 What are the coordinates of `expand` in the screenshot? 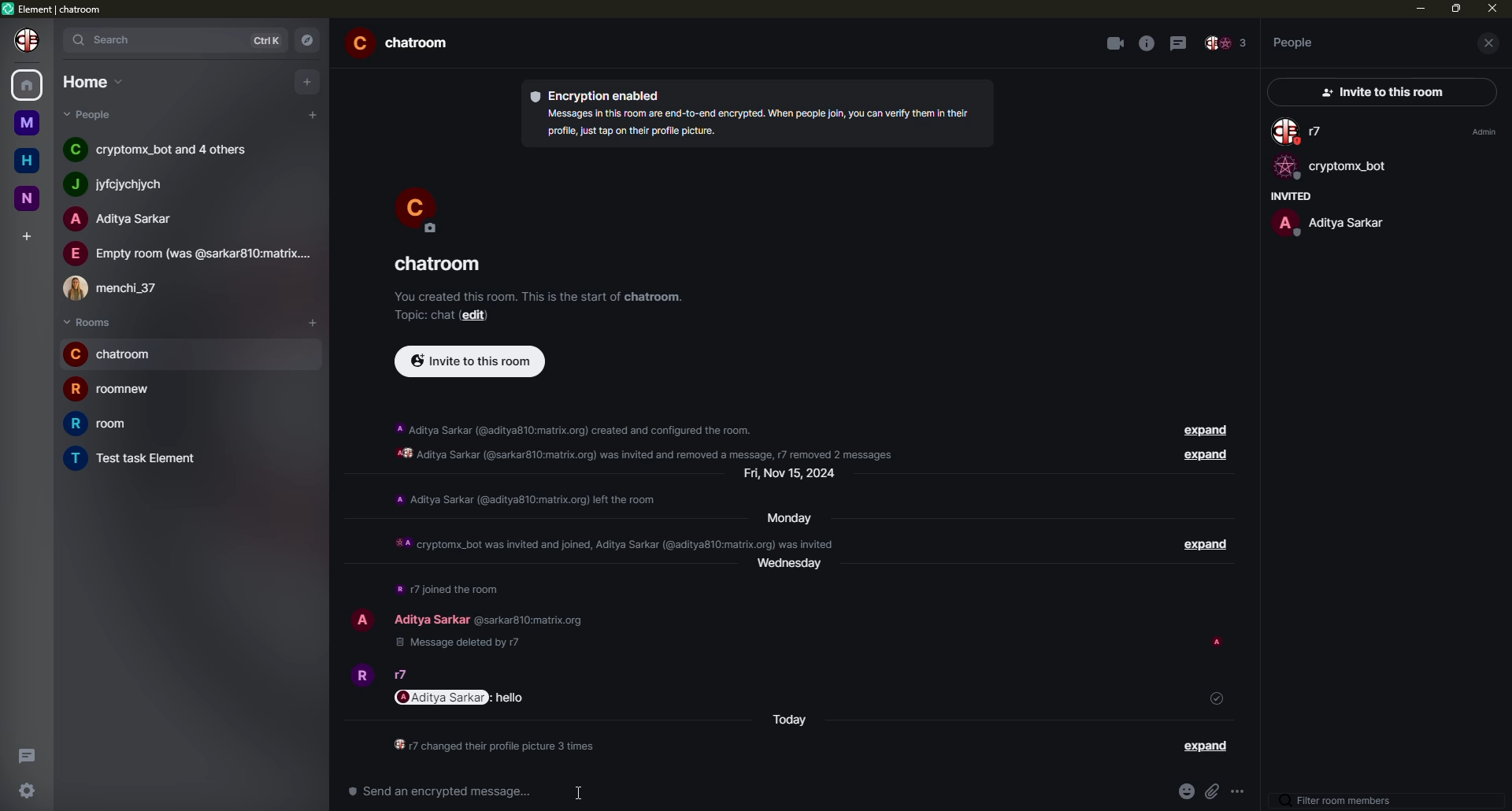 It's located at (1198, 431).